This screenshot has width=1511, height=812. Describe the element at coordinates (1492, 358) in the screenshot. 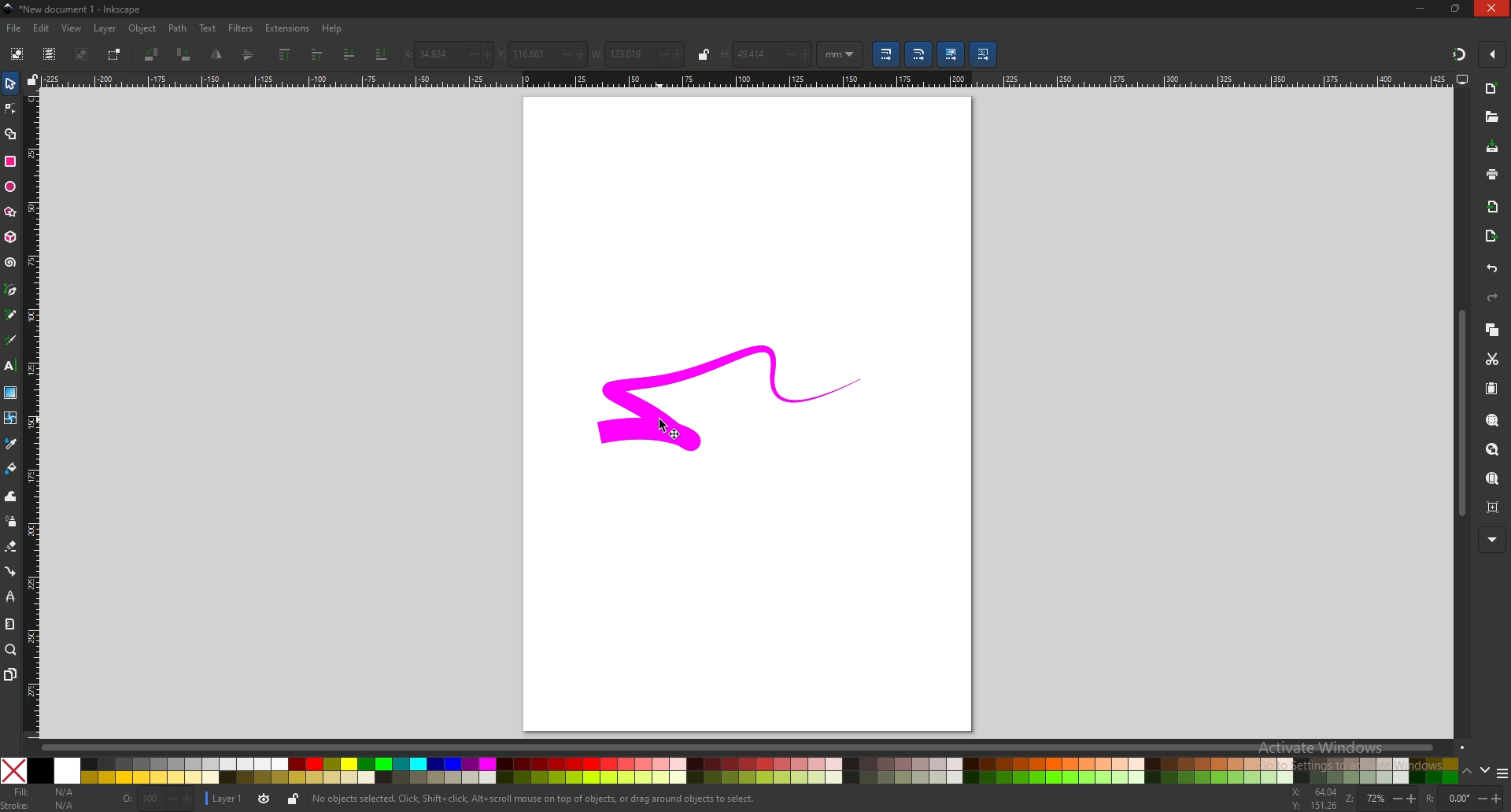

I see `cut` at that location.